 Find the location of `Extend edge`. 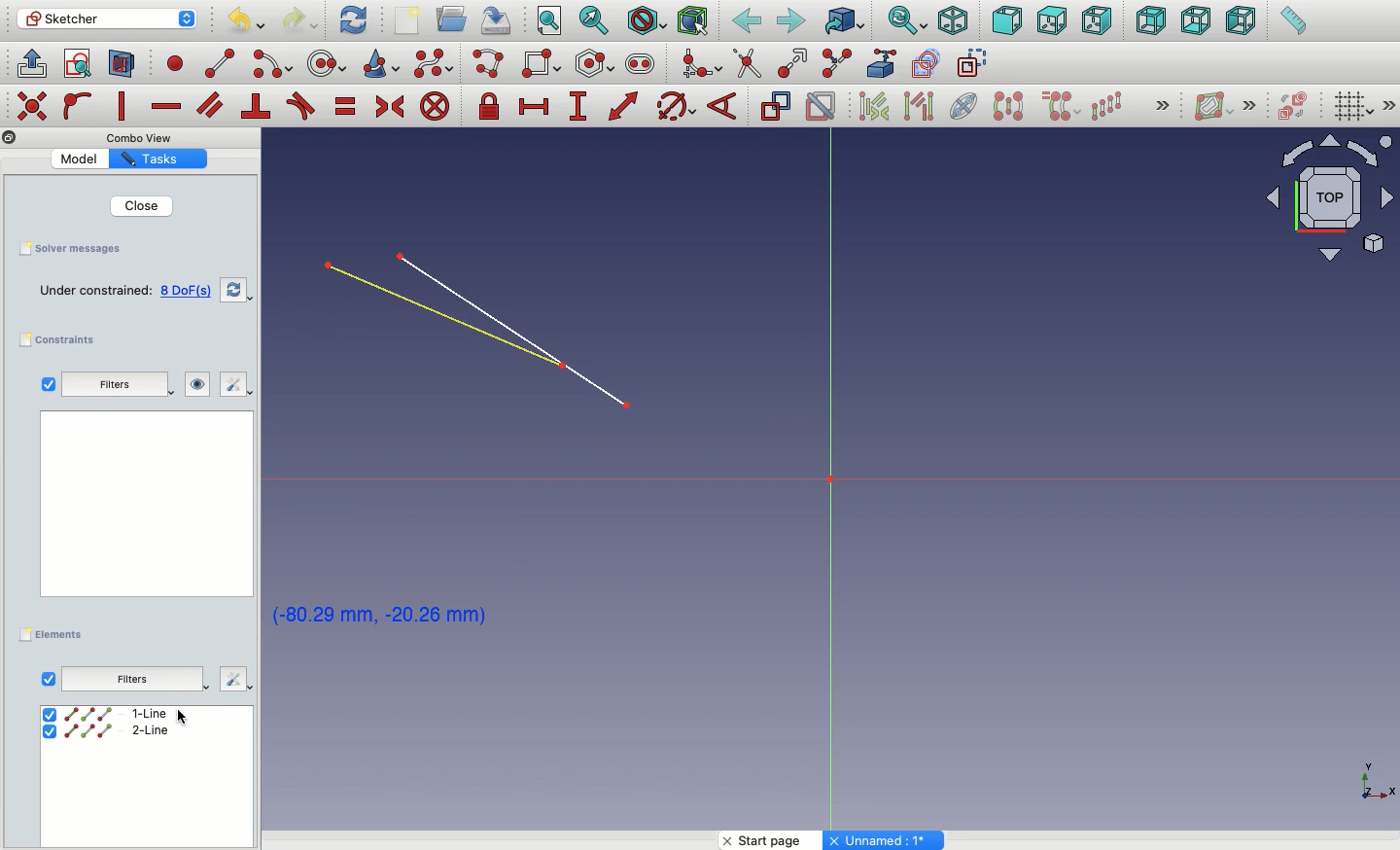

Extend edge is located at coordinates (796, 61).